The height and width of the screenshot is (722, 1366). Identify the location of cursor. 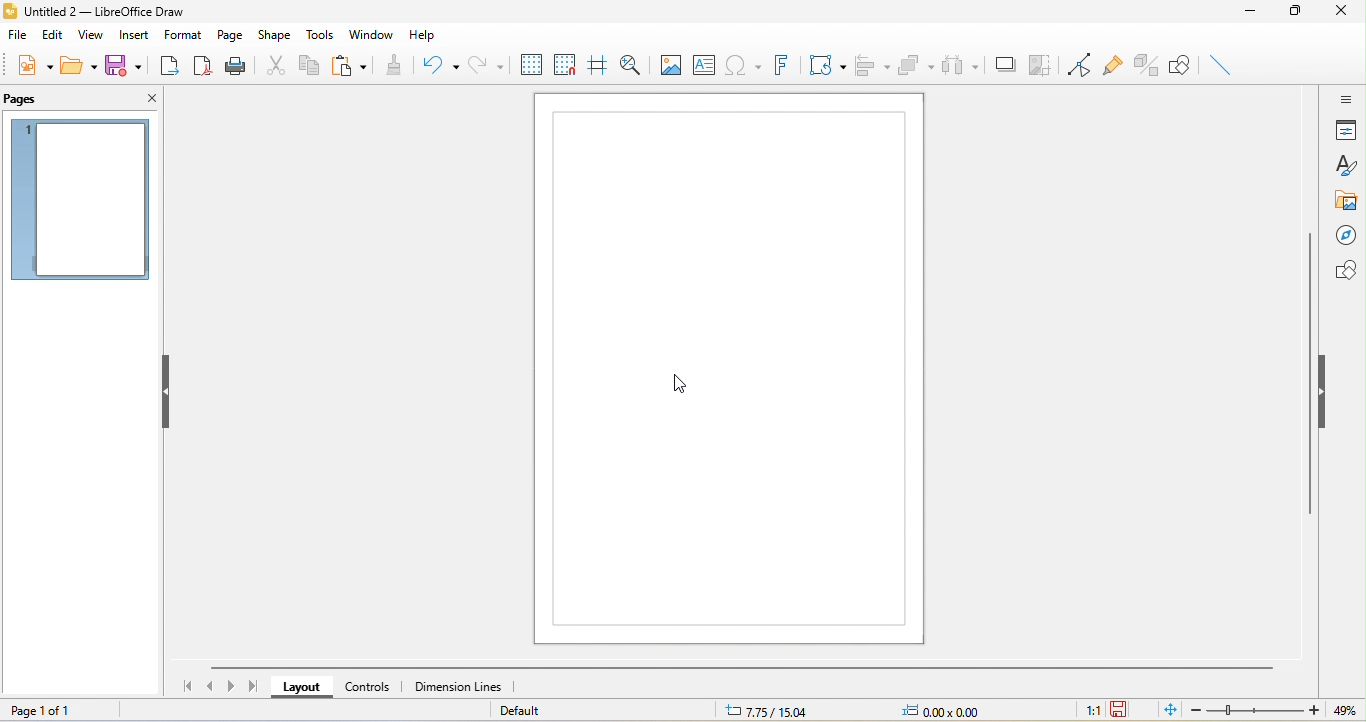
(683, 382).